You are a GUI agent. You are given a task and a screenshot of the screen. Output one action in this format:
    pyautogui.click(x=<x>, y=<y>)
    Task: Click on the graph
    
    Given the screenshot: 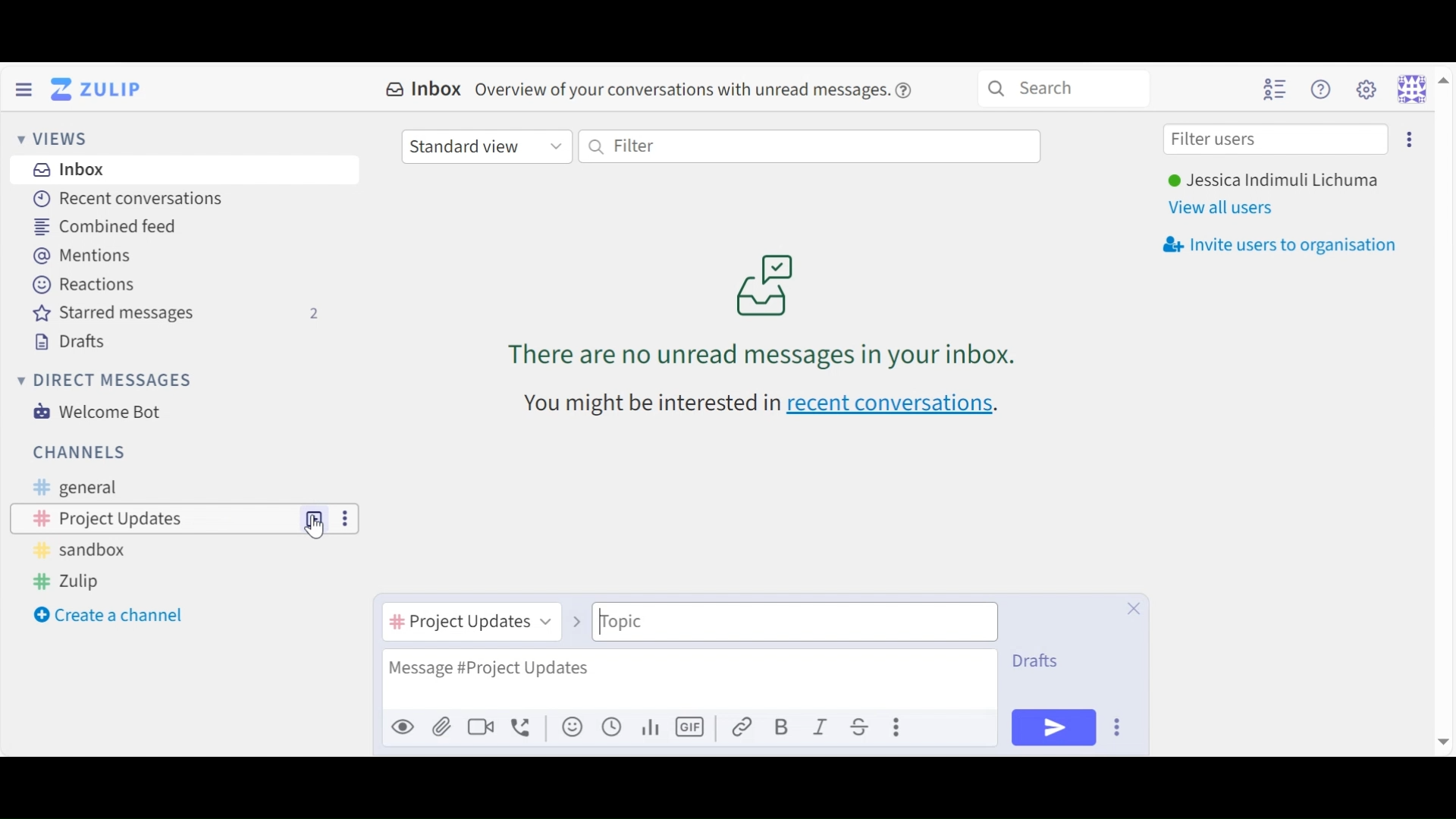 What is the action you would take?
    pyautogui.click(x=653, y=727)
    